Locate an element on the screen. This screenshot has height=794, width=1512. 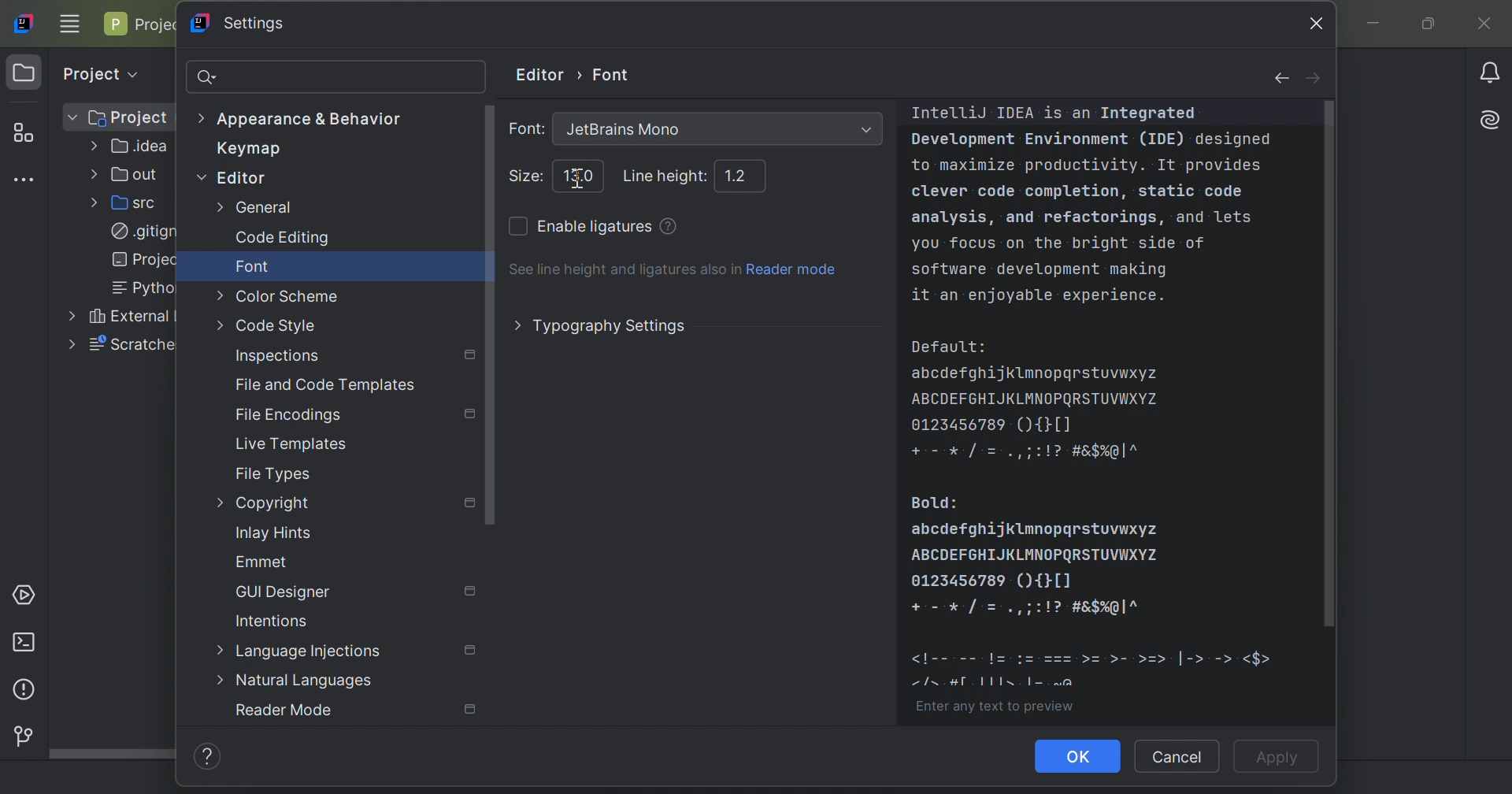
scratche is located at coordinates (121, 347).